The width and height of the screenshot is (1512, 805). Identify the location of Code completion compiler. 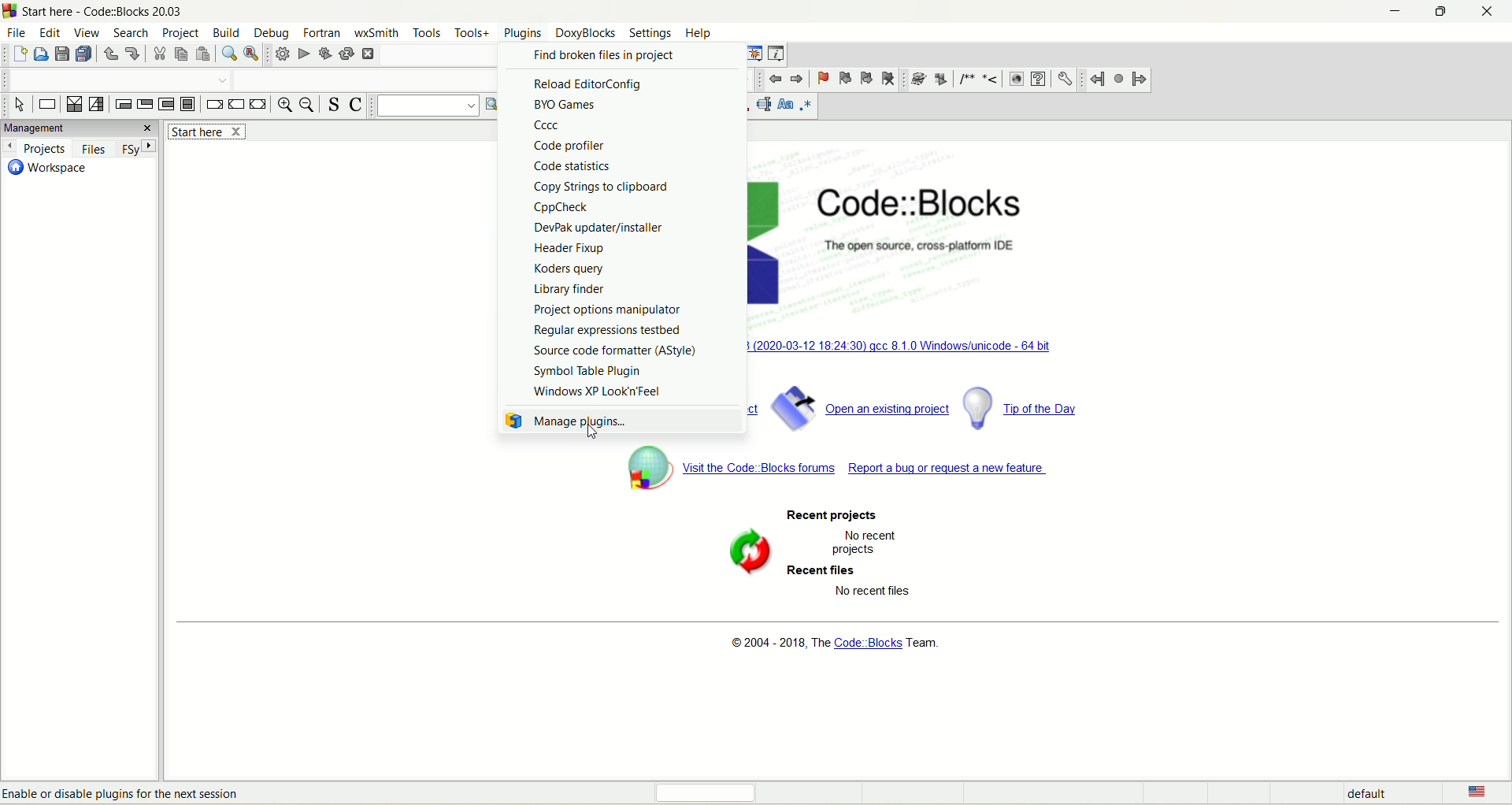
(363, 79).